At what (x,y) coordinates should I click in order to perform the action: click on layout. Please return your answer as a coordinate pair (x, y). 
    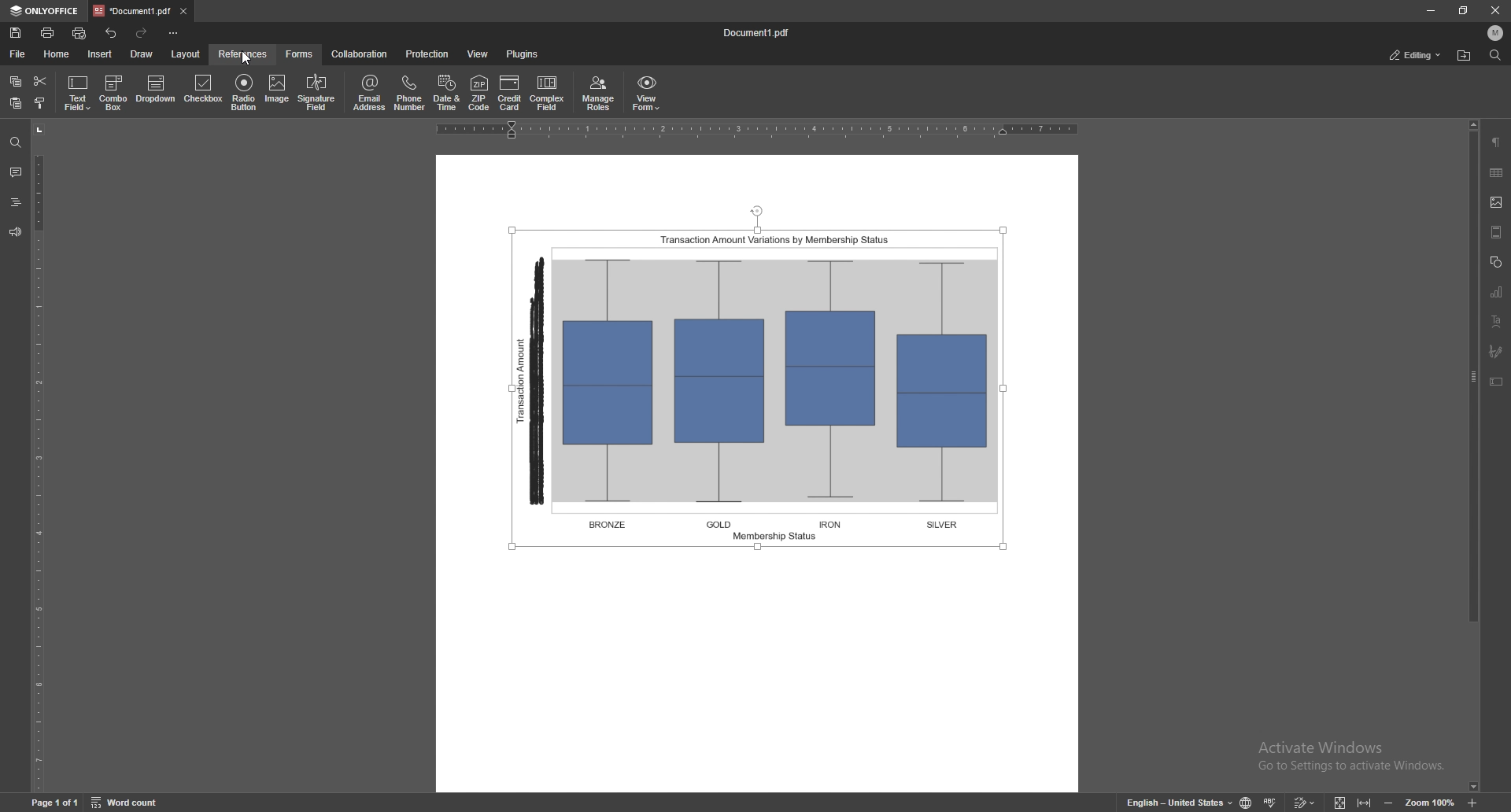
    Looking at the image, I should click on (187, 54).